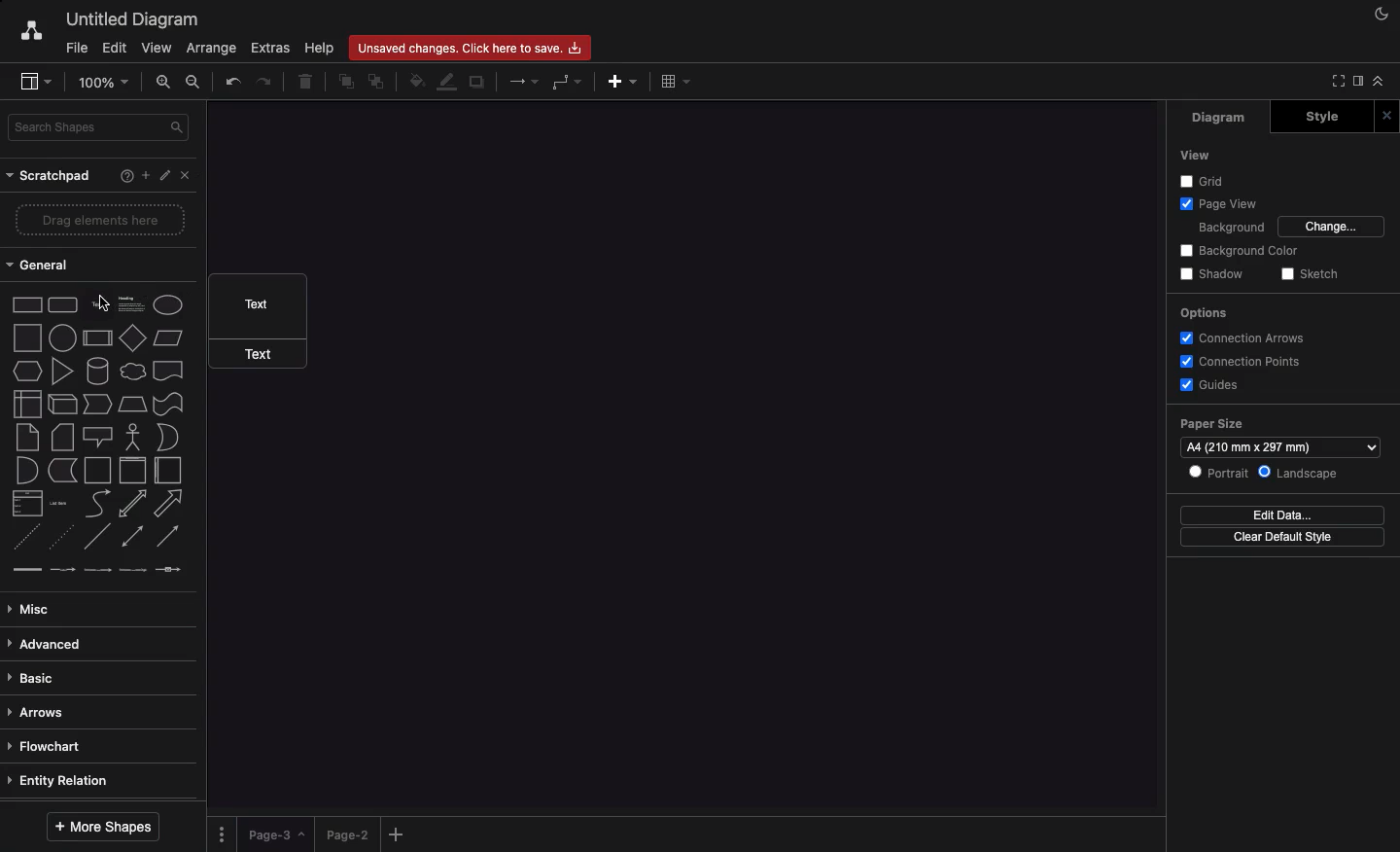 Image resolution: width=1400 pixels, height=852 pixels. I want to click on Table, so click(677, 81).